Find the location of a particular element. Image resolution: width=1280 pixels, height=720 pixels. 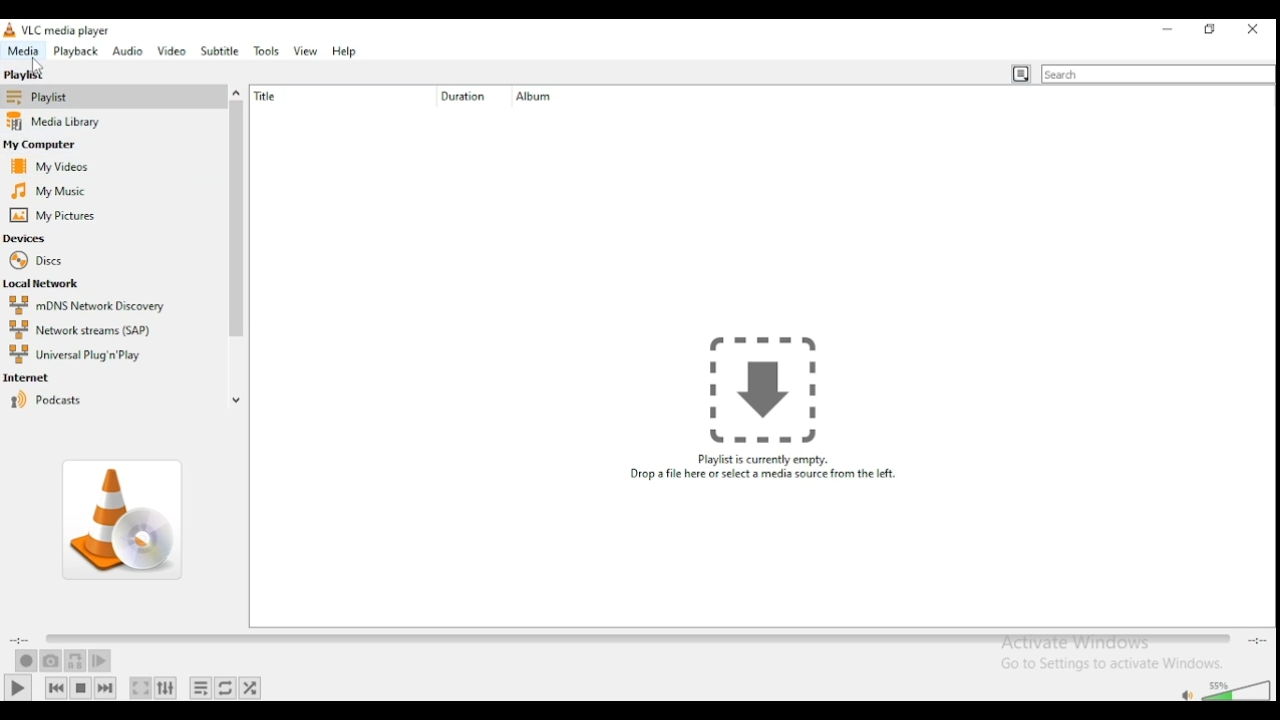

seek bar is located at coordinates (638, 637).